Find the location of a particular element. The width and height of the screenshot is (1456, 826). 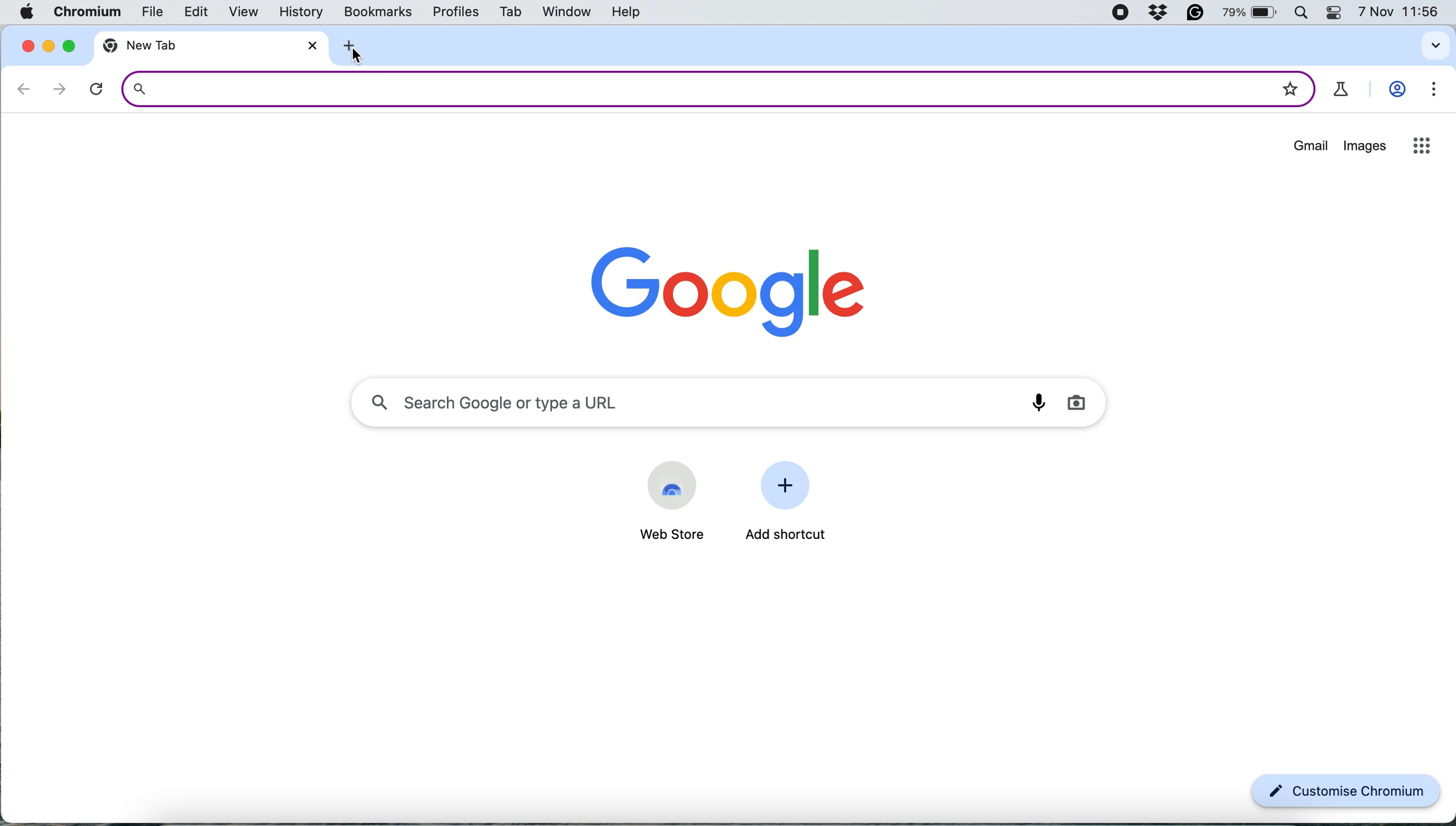

gmail is located at coordinates (1311, 149).